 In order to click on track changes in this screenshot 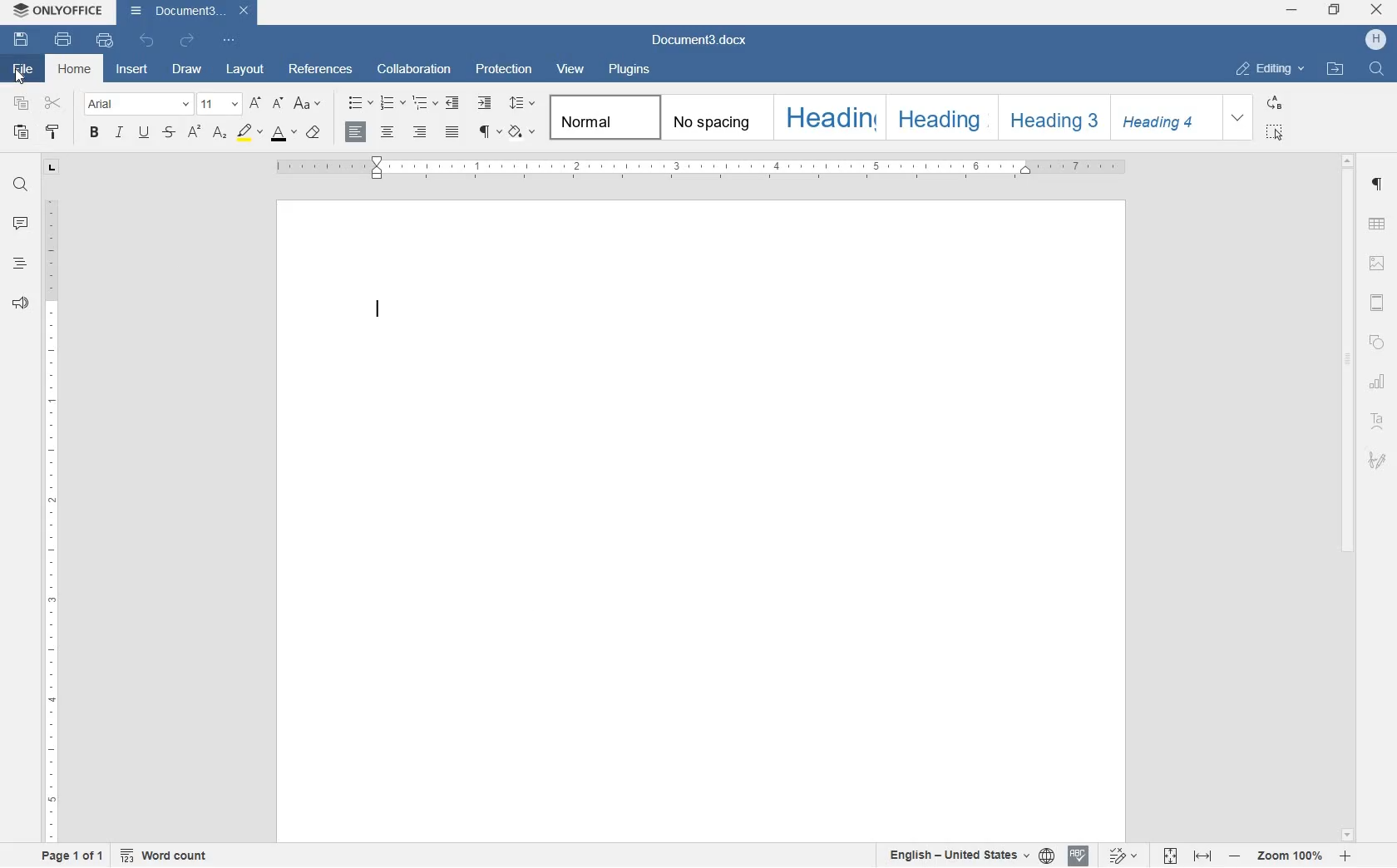, I will do `click(1123, 855)`.